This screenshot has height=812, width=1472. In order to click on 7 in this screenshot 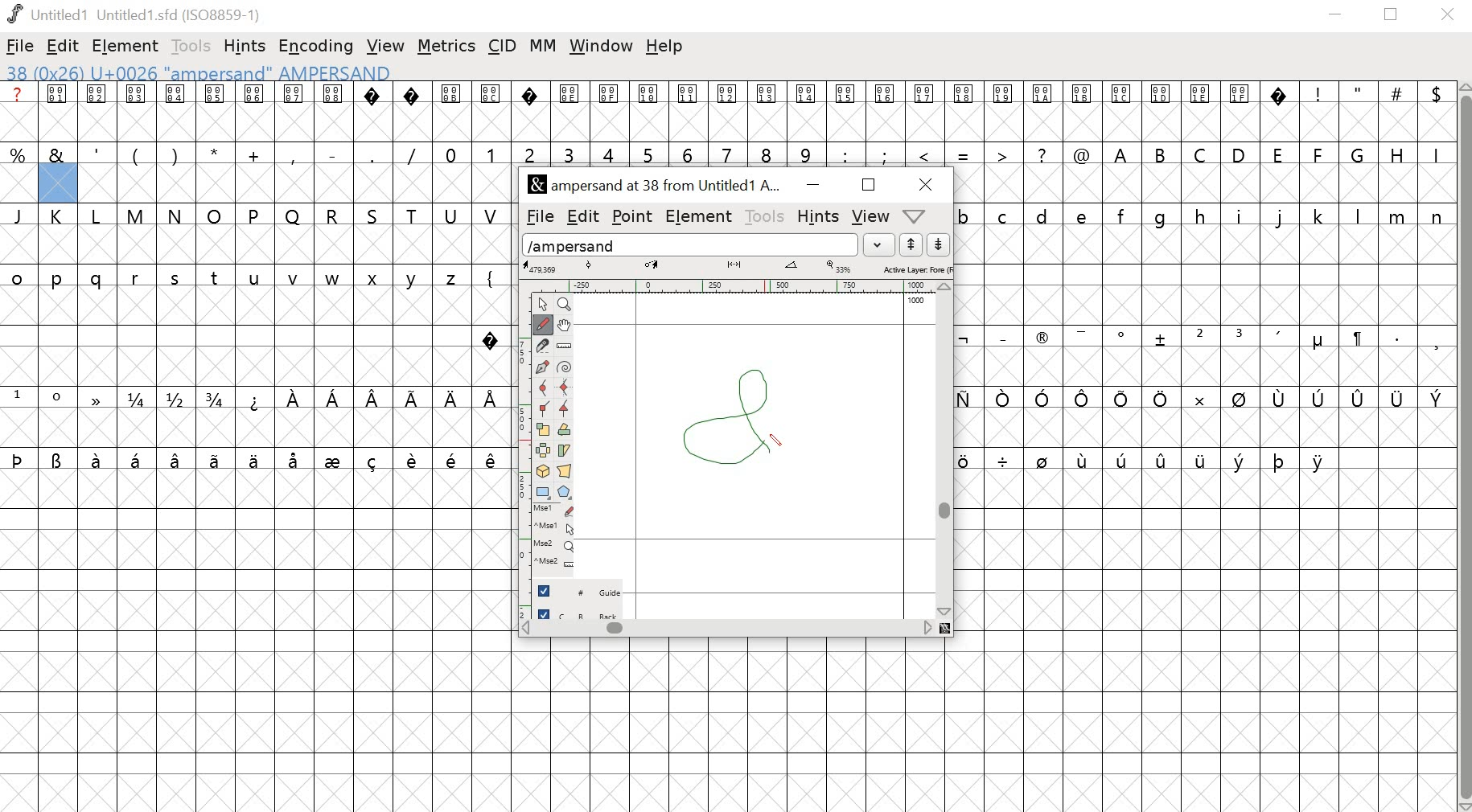, I will do `click(730, 153)`.